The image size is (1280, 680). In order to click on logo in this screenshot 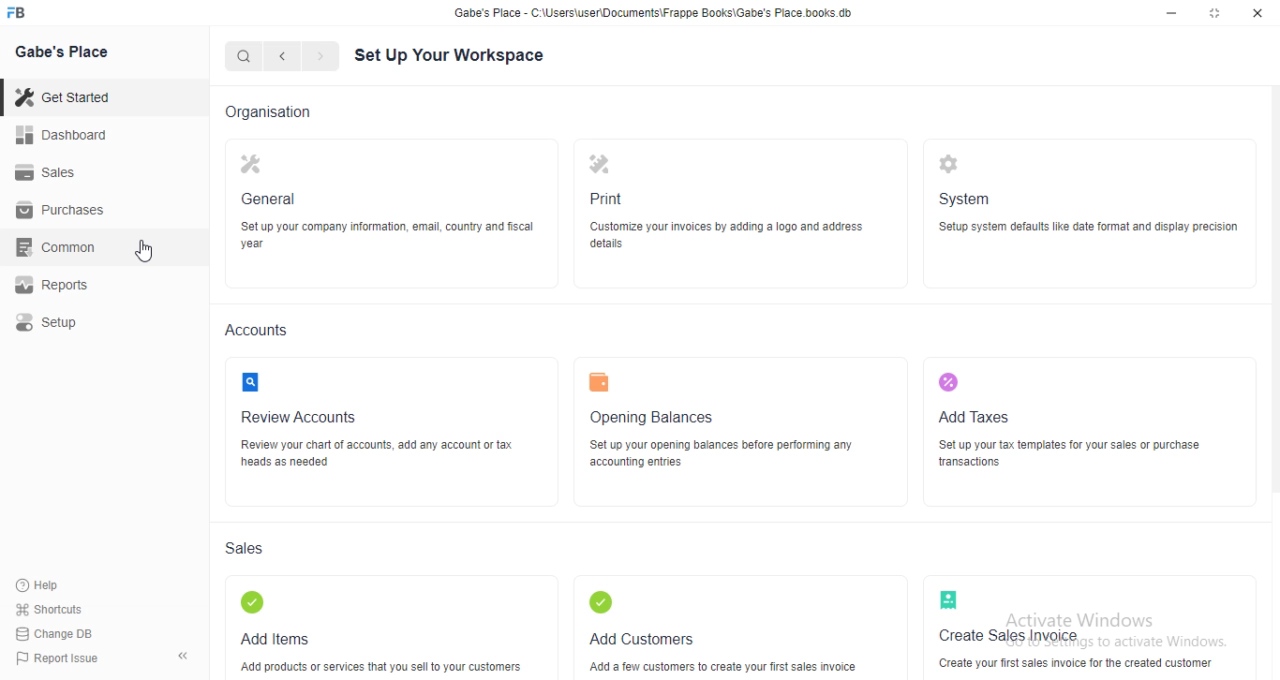, I will do `click(606, 599)`.